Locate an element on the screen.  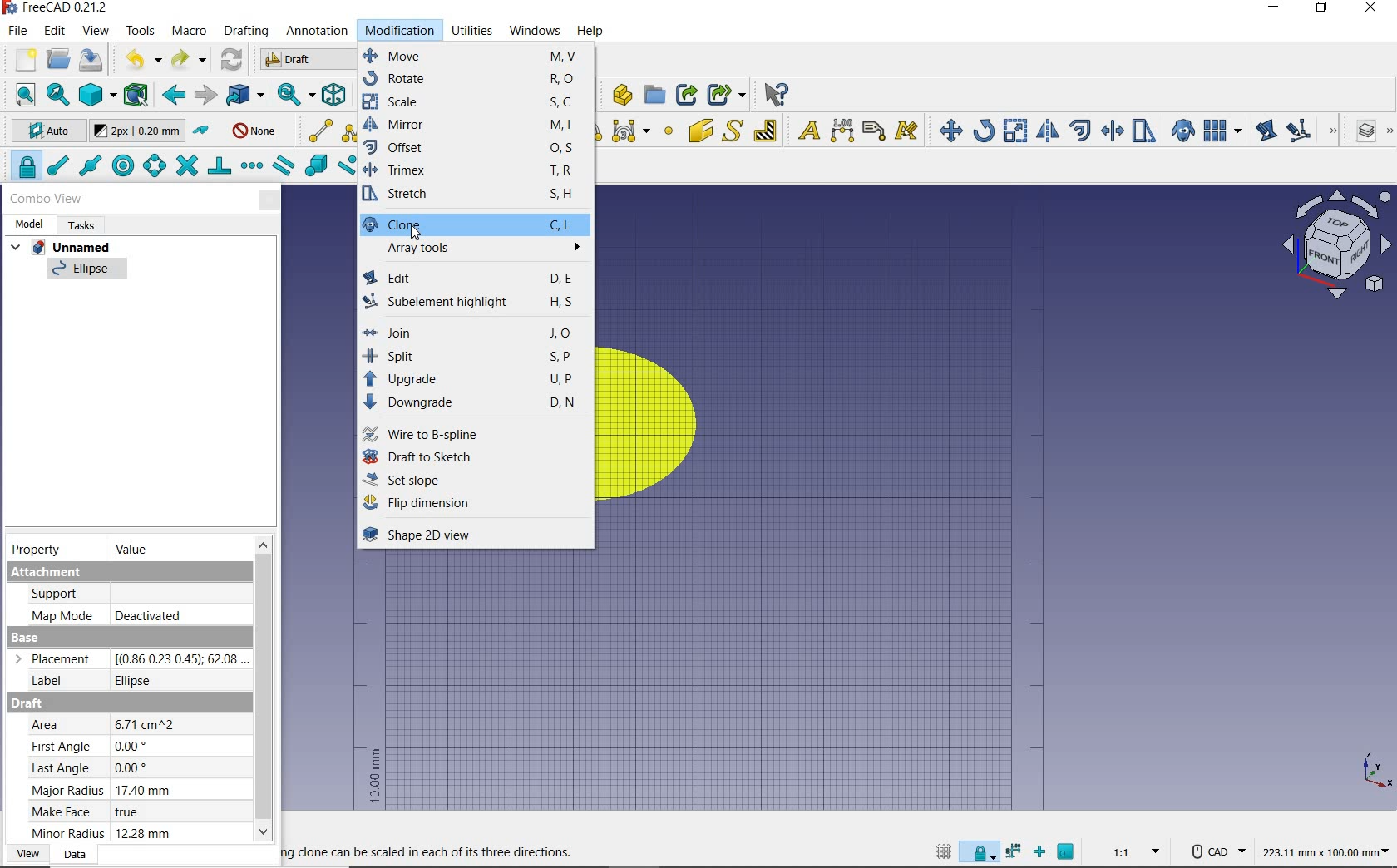
Windows is located at coordinates (536, 32).